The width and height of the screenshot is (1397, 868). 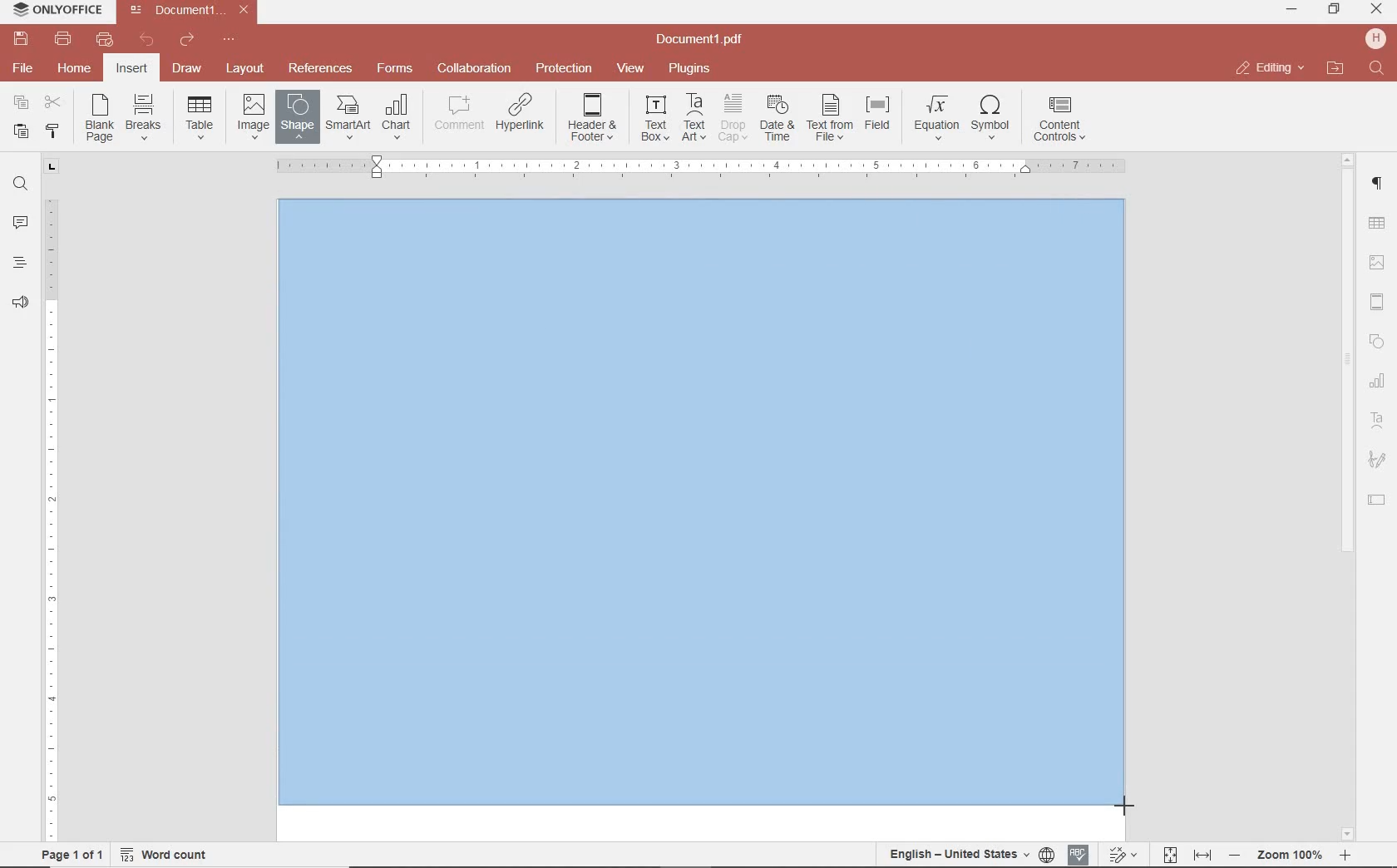 I want to click on CHART, so click(x=1378, y=382).